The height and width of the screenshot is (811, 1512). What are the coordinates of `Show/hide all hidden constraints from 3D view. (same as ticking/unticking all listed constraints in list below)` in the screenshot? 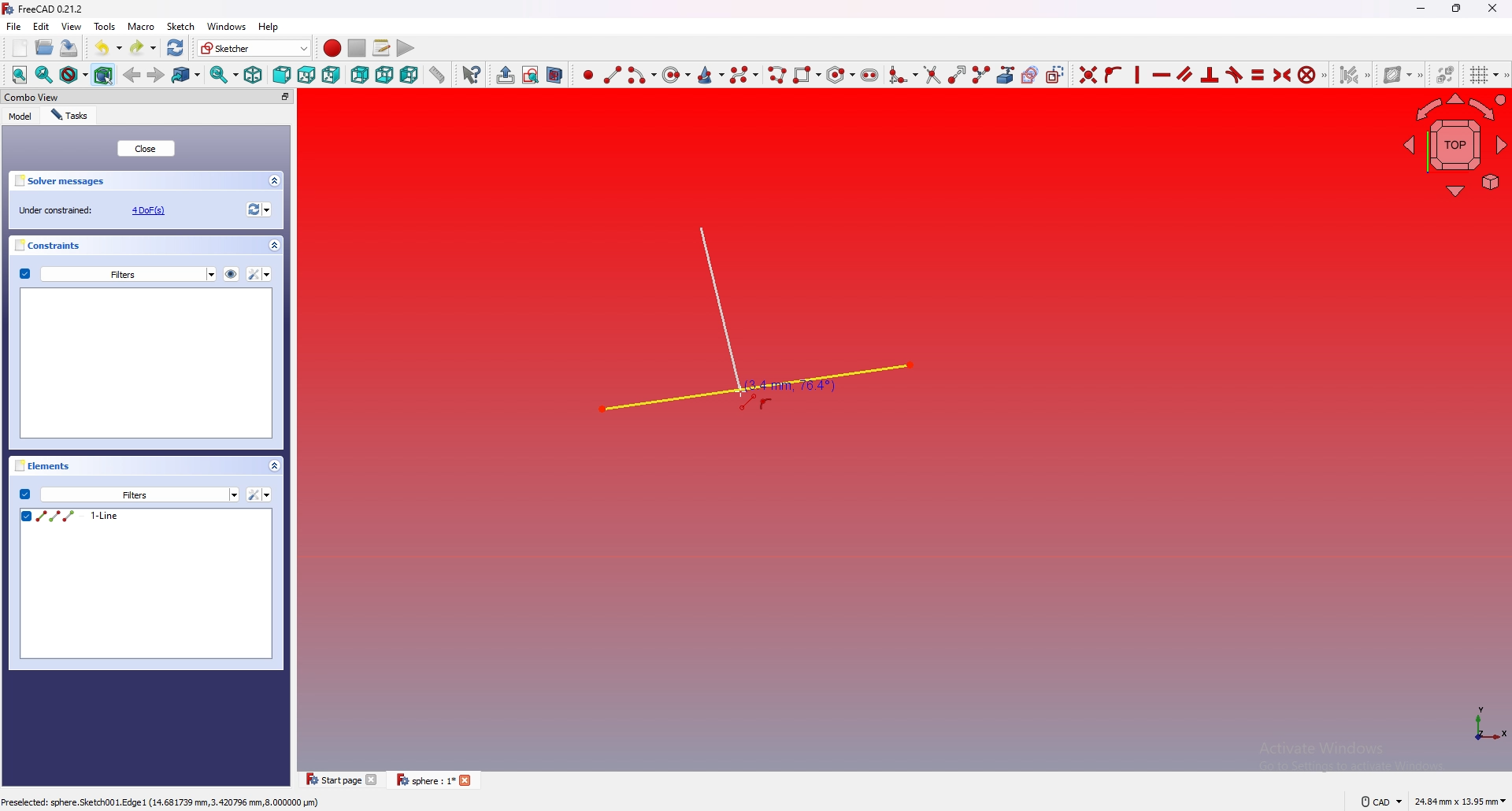 It's located at (231, 272).